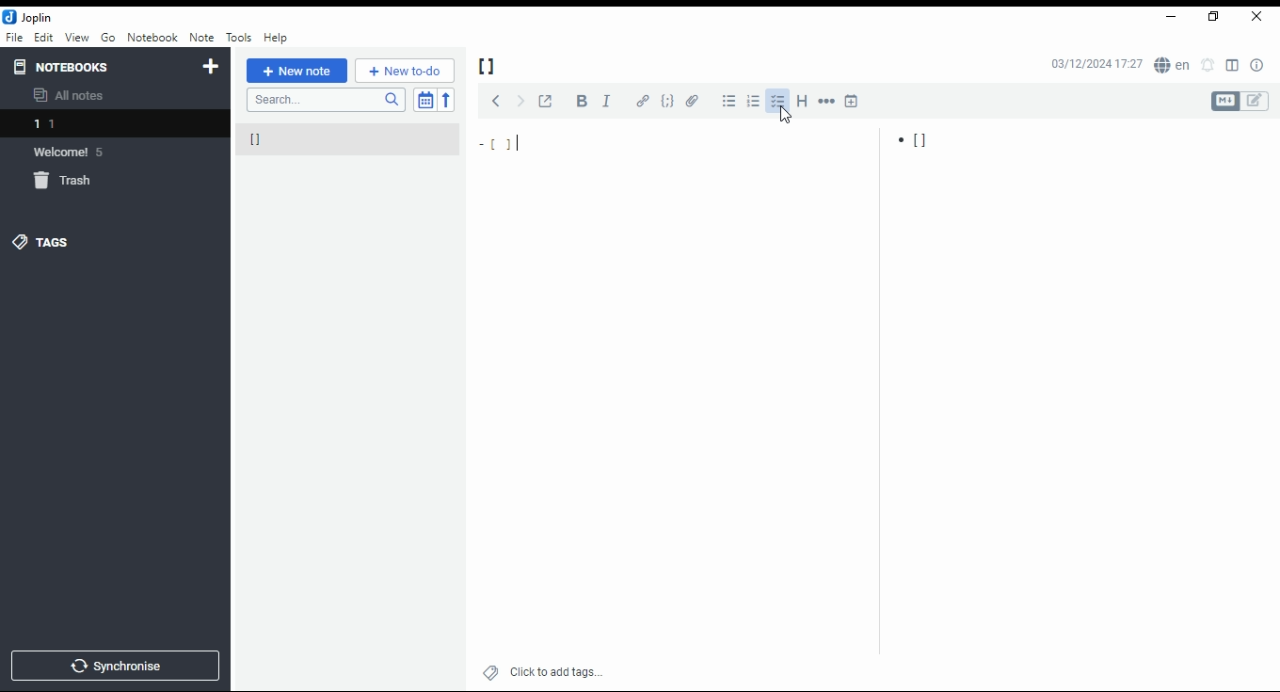  Describe the element at coordinates (494, 100) in the screenshot. I see `previous` at that location.